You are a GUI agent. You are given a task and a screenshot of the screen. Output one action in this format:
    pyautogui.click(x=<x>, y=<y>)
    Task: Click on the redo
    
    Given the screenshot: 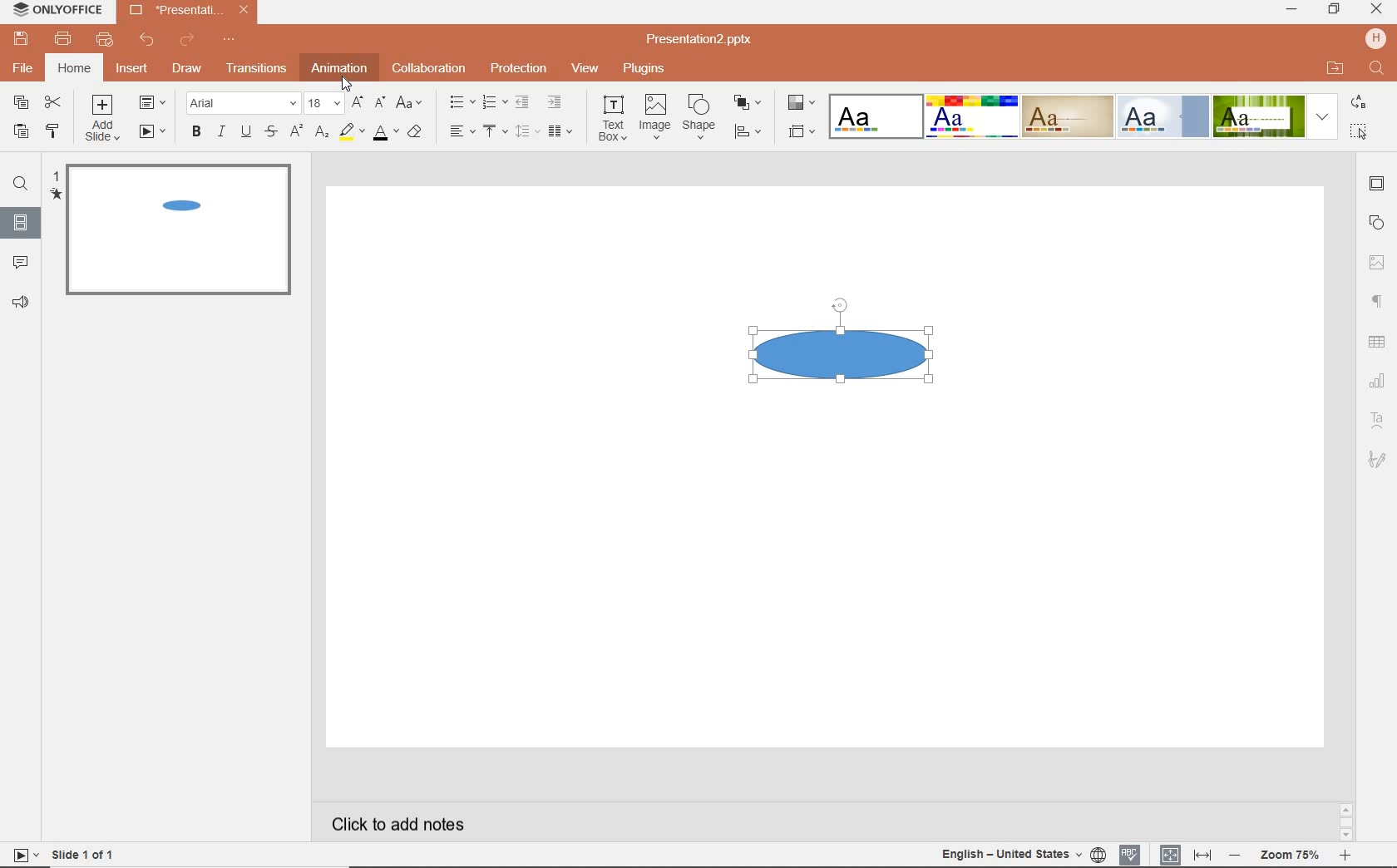 What is the action you would take?
    pyautogui.click(x=188, y=41)
    